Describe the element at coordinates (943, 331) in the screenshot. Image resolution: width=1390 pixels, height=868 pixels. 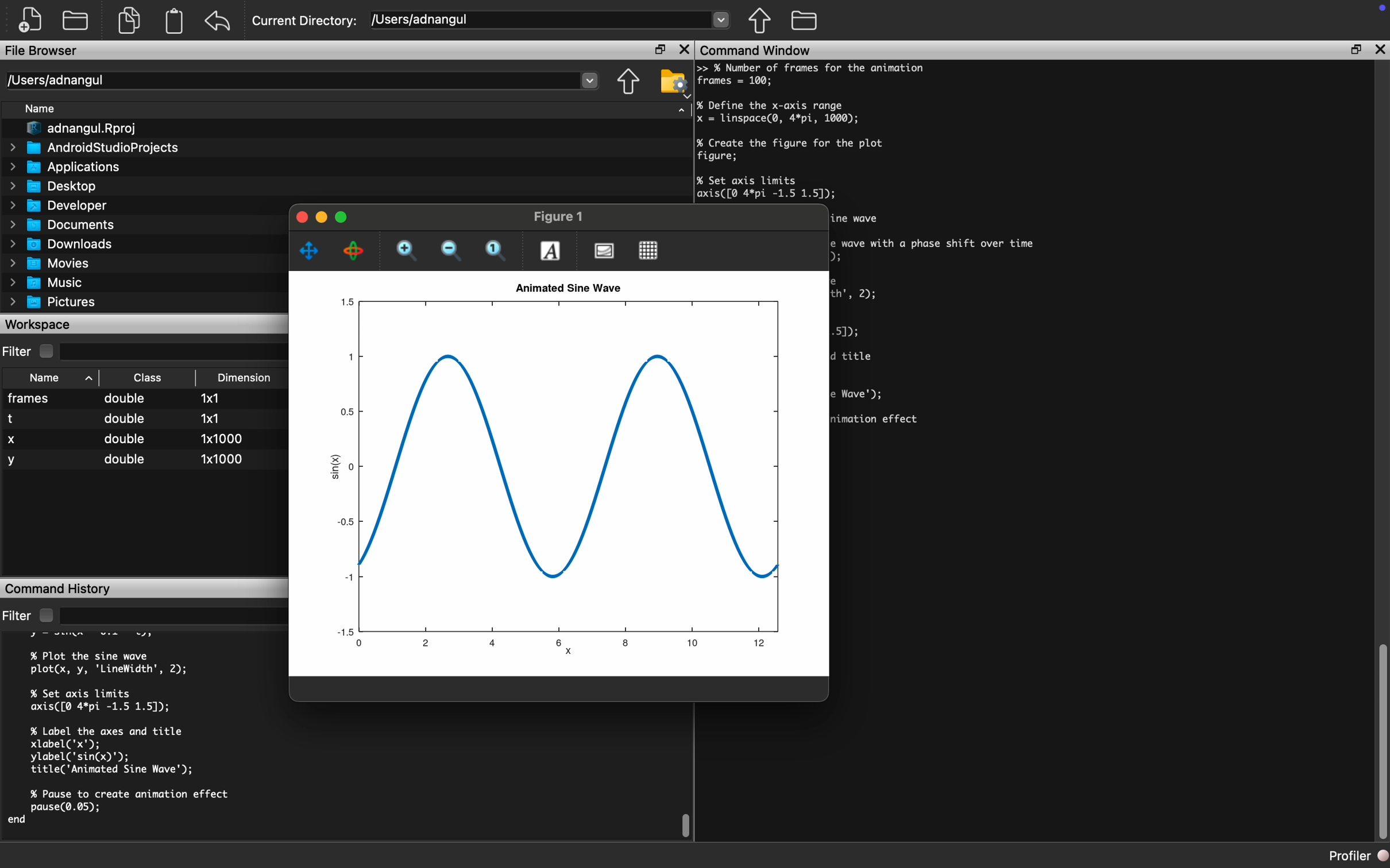
I see `jo Loop To animate the sine wave
for t = 1:frames|
% Calculate the sine wave with a phase shift over time]
y = sin(x - 0.1 * t);
% Plot the sine wave
plot(x, y, 'LineWidth', 2);
% Set axis limits
axis([@ 4*pi -1.5 1.51);
% Label the axes and title
xlabel('x"');
ylabel('sin(x)");
title('Animated Sine Wave');
% Pause to create animation effect
pause(0.05);
lend` at that location.